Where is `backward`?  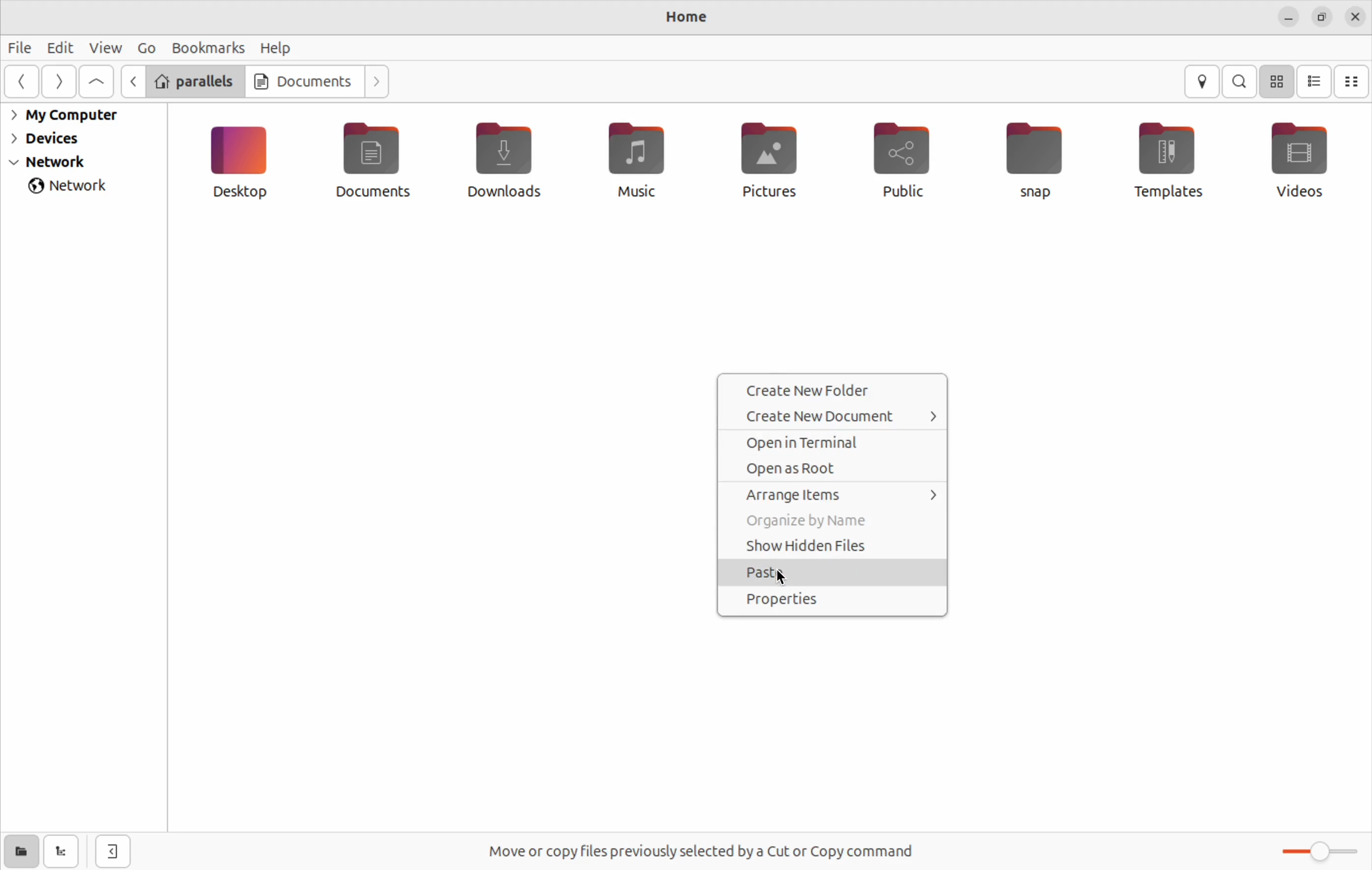
backward is located at coordinates (132, 80).